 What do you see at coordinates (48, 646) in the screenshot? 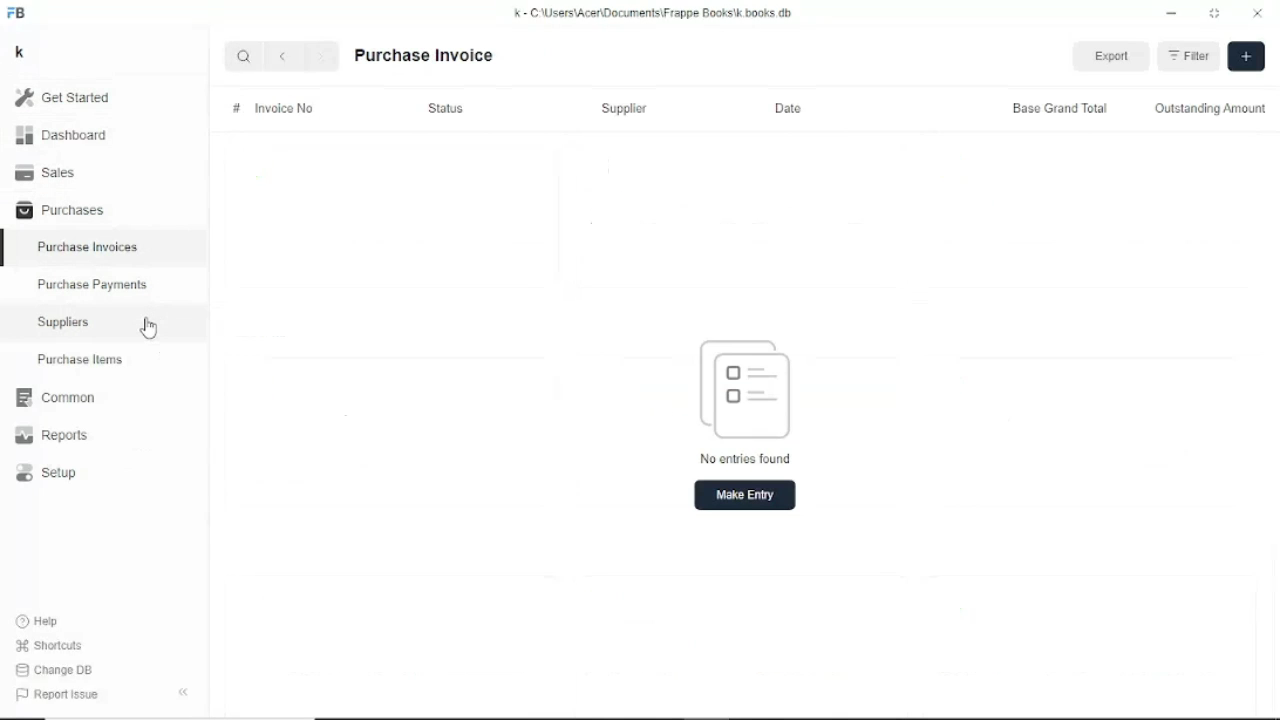
I see `Shortcuts` at bounding box center [48, 646].